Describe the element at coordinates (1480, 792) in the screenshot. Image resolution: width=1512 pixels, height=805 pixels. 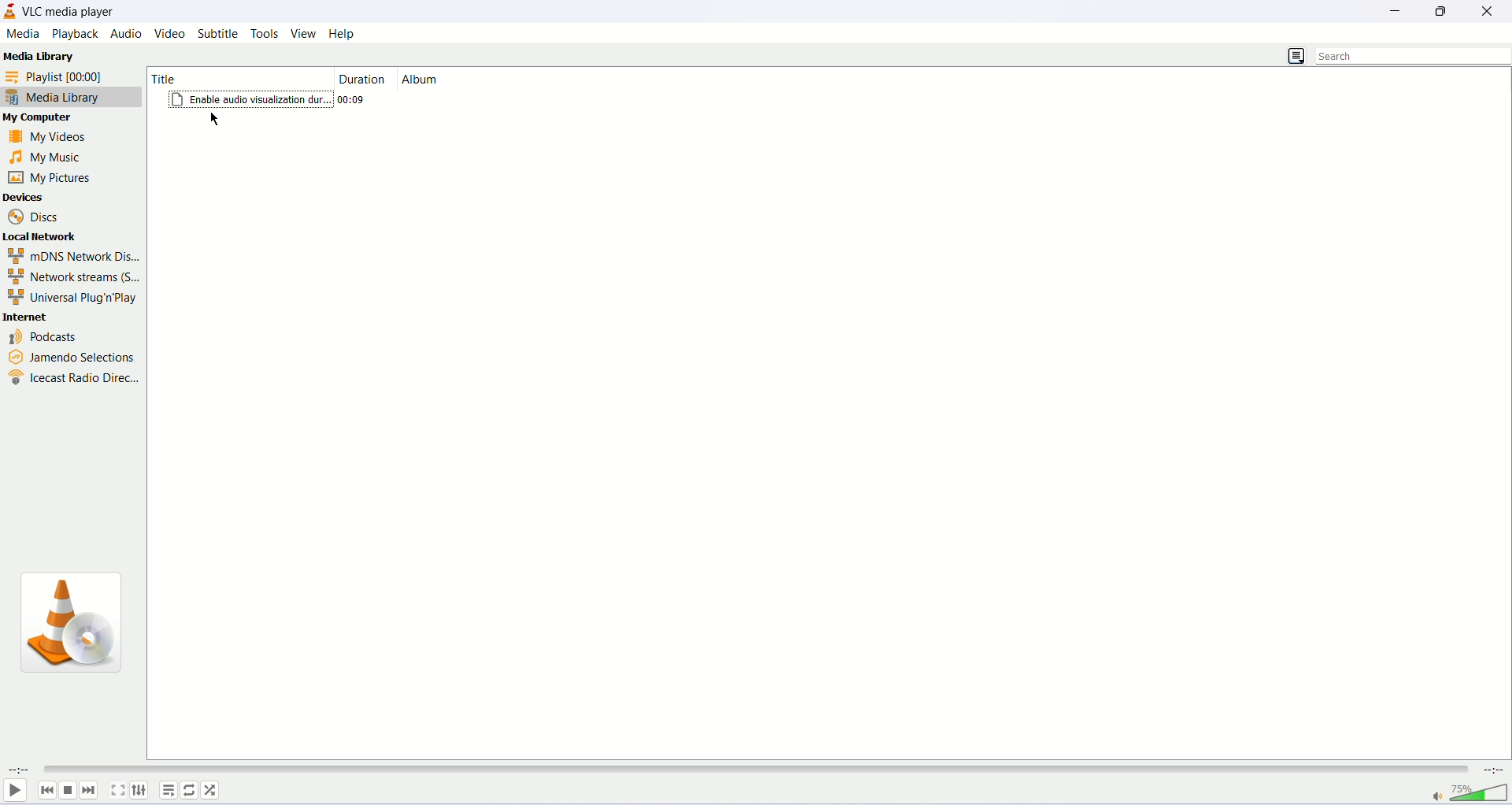
I see `volume bar` at that location.